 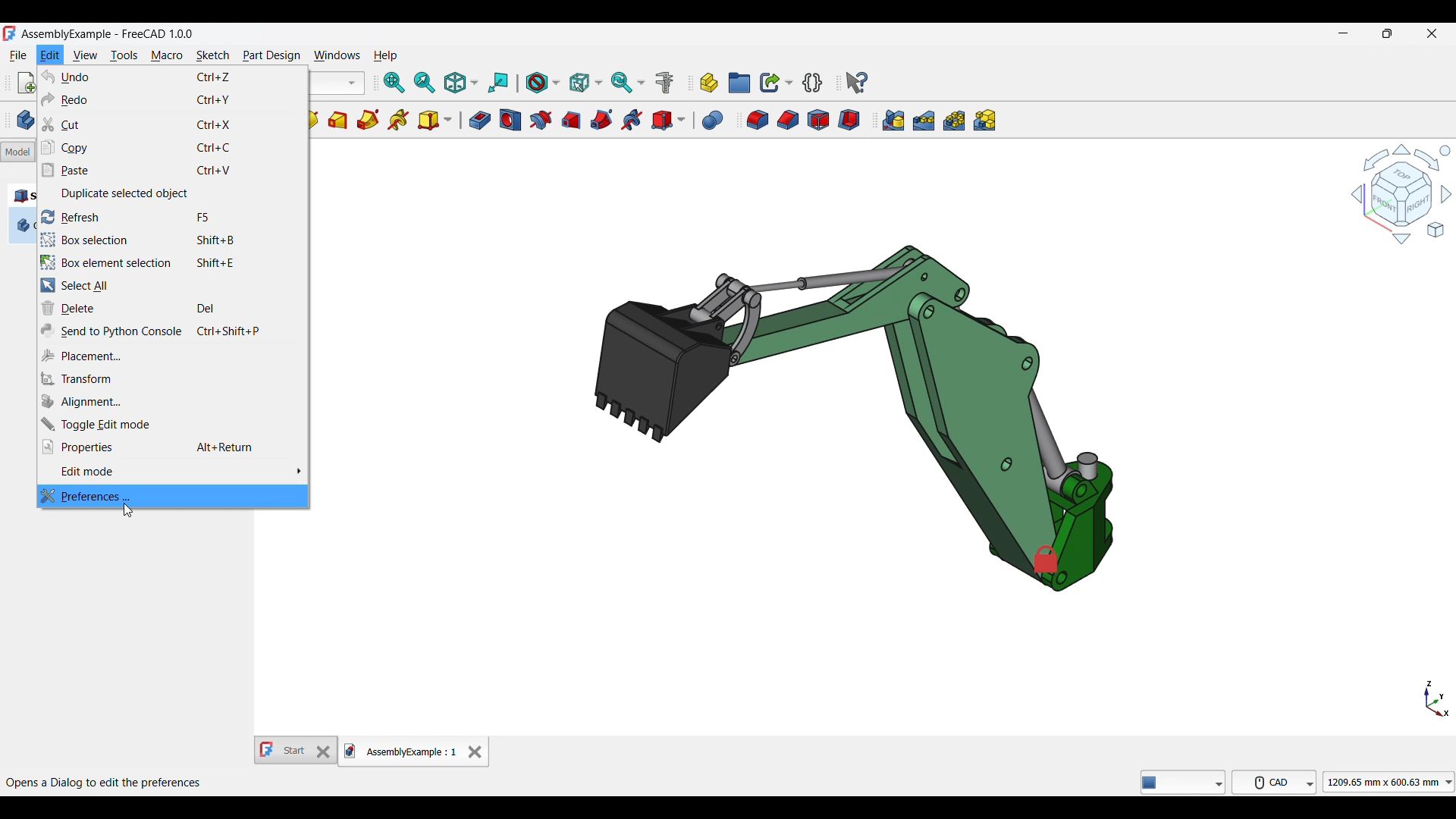 I want to click on Thickness, so click(x=849, y=120).